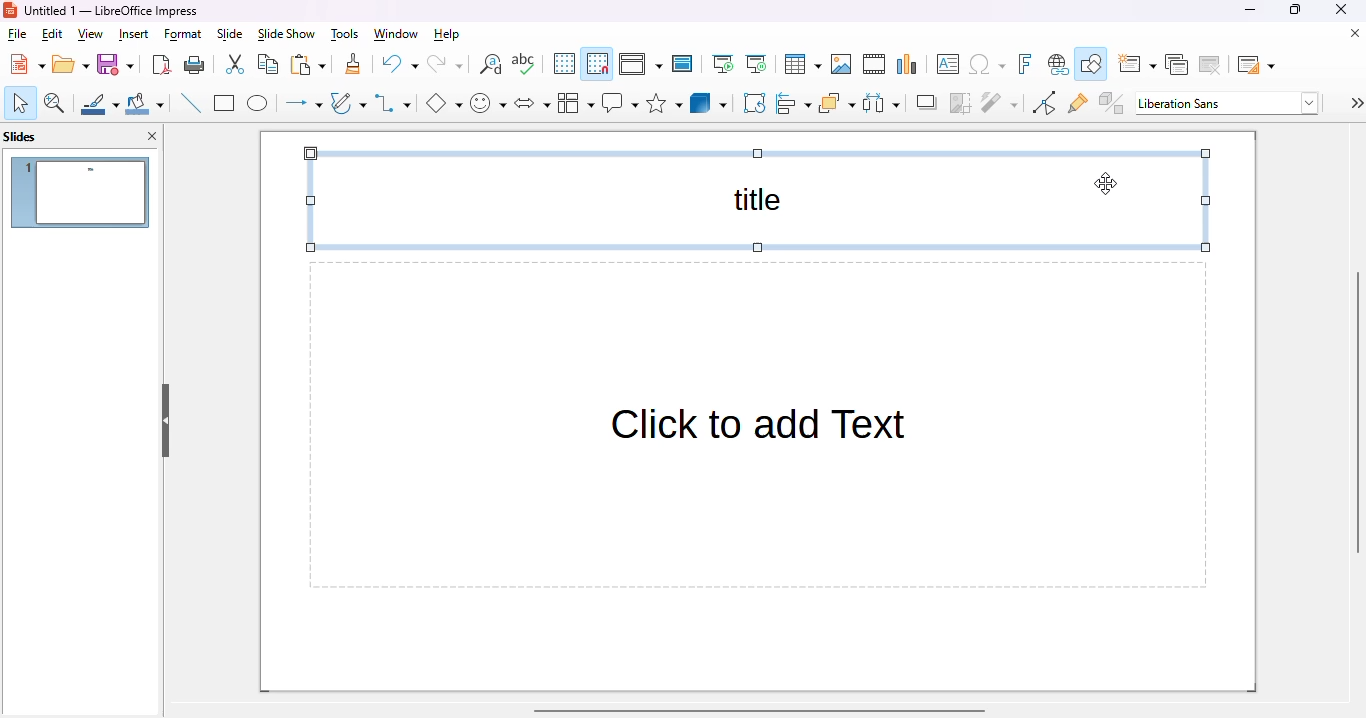 The height and width of the screenshot is (718, 1366). Describe the element at coordinates (575, 103) in the screenshot. I see `flowchart` at that location.